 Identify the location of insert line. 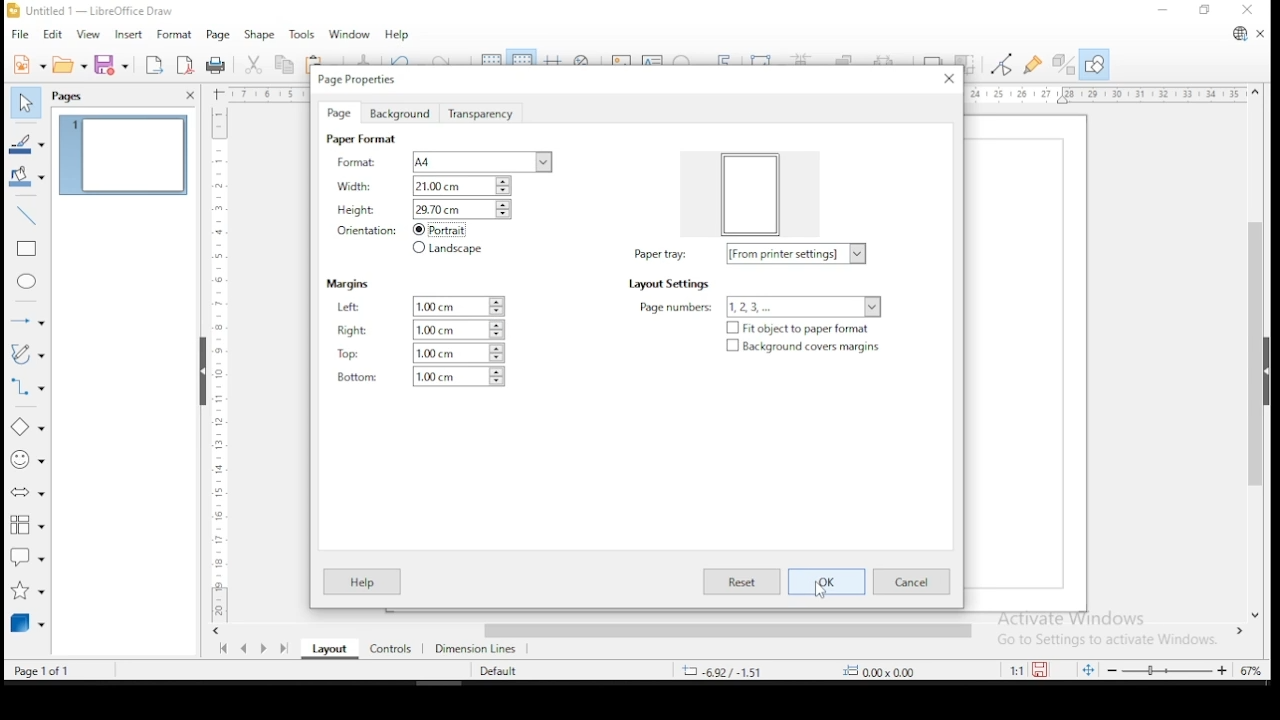
(28, 216).